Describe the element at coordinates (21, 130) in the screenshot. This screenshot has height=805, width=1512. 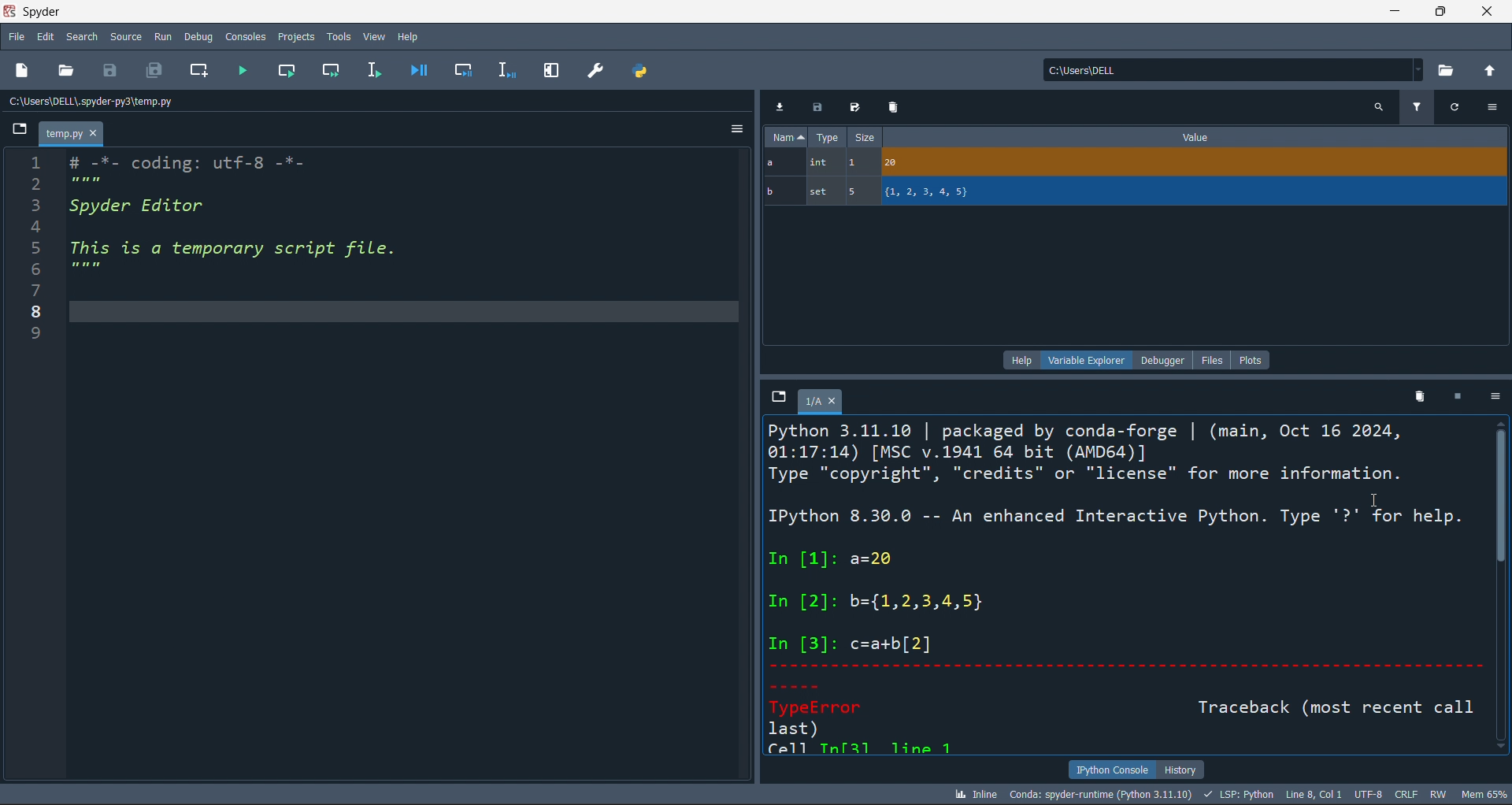
I see `browse tabs` at that location.